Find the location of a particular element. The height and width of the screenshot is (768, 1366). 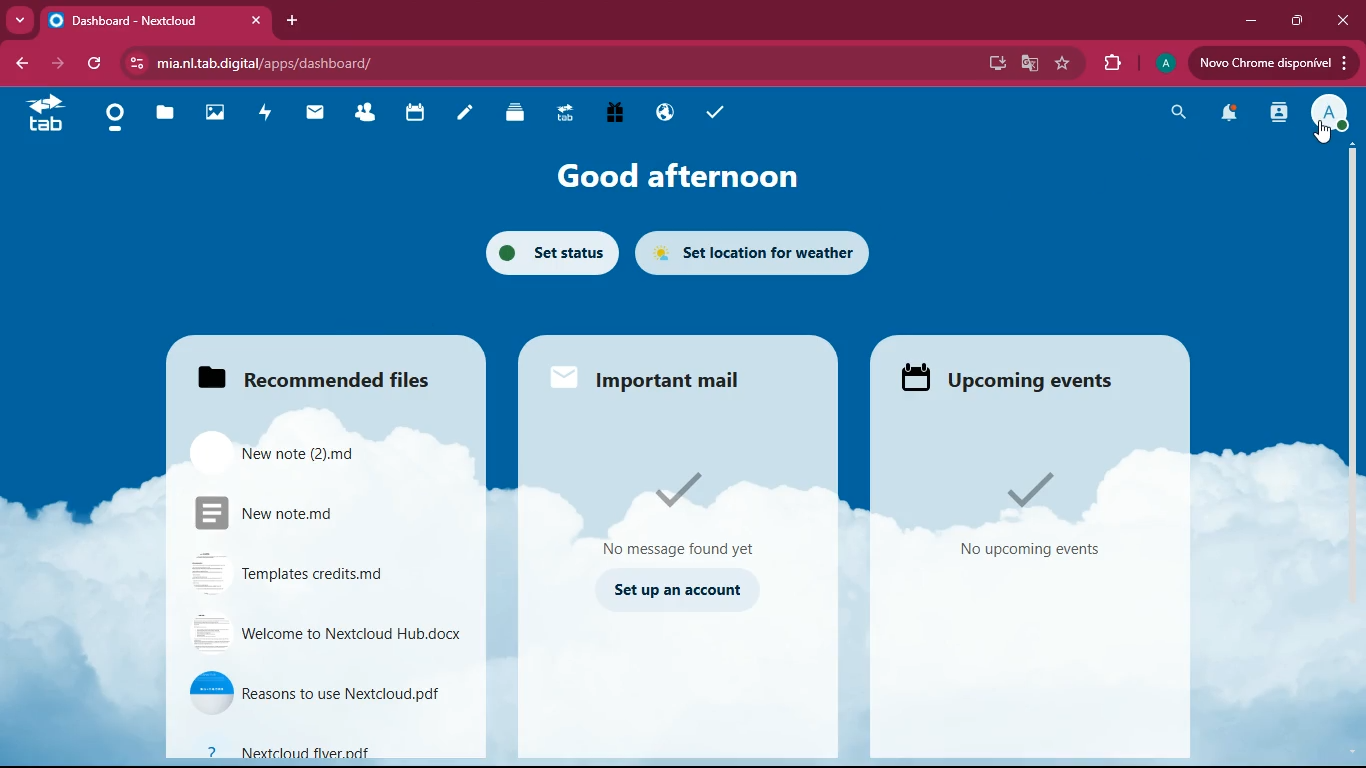

cross is located at coordinates (261, 21).